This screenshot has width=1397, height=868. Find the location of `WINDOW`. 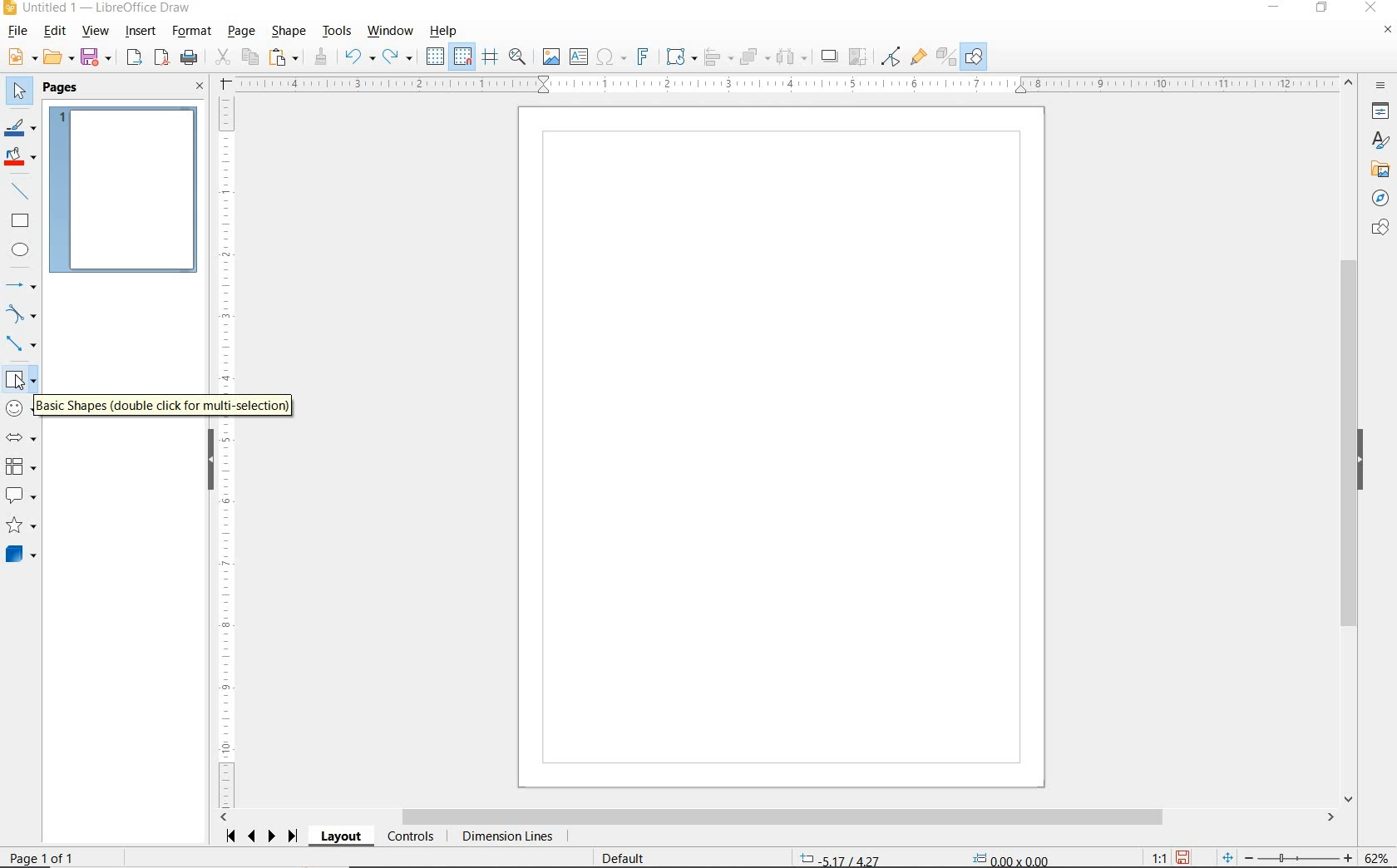

WINDOW is located at coordinates (391, 32).